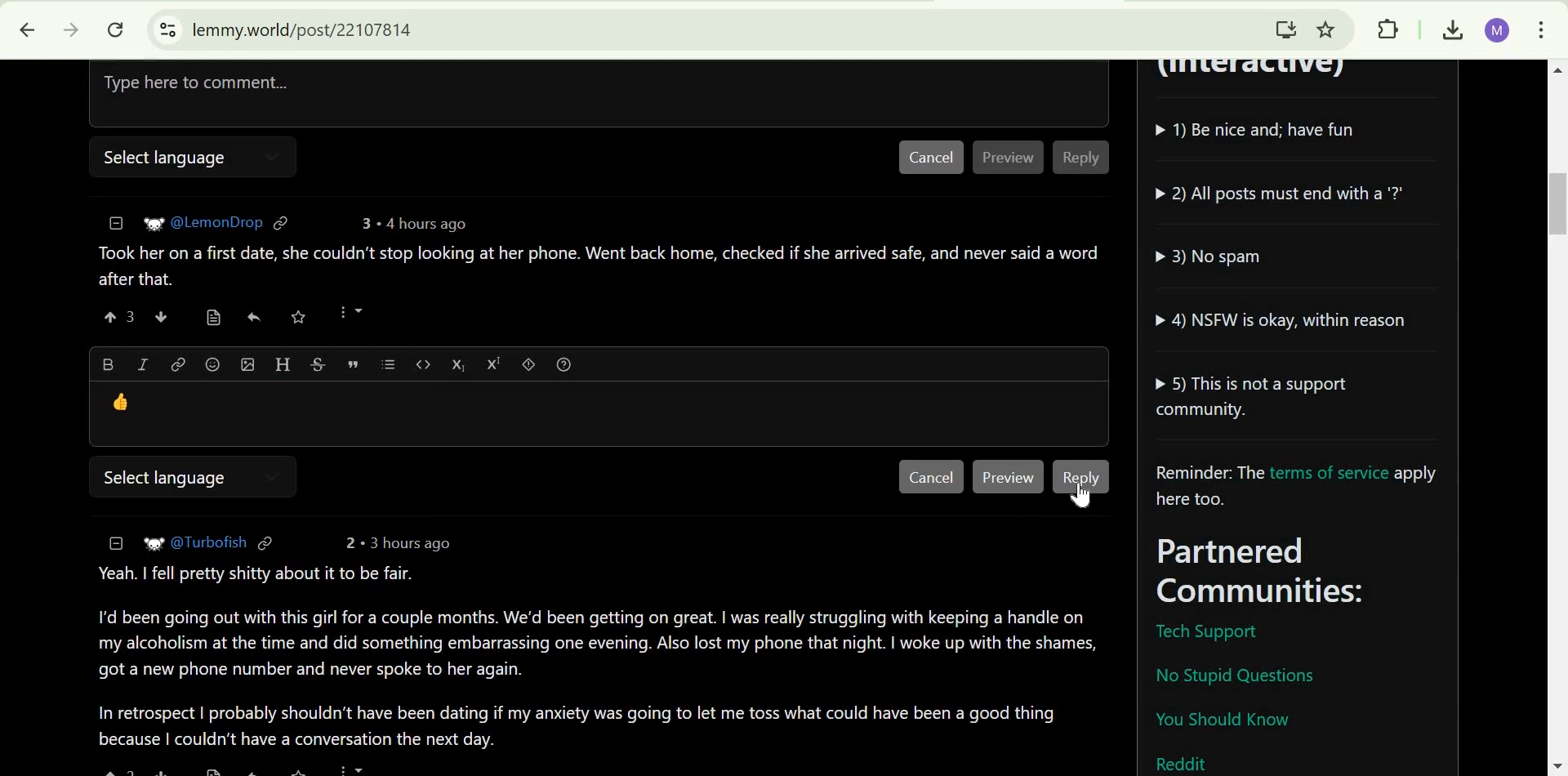 This screenshot has width=1568, height=776. What do you see at coordinates (930, 158) in the screenshot?
I see `Cancel` at bounding box center [930, 158].